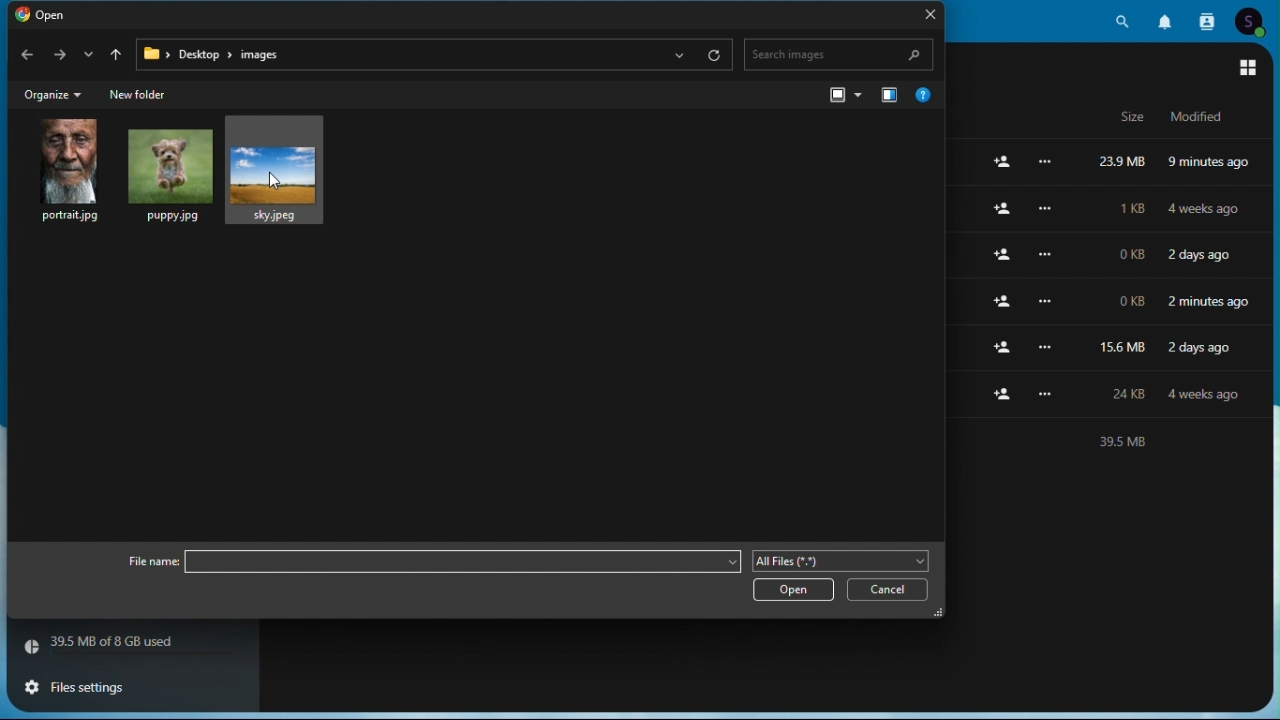  I want to click on Files, so click(1112, 208).